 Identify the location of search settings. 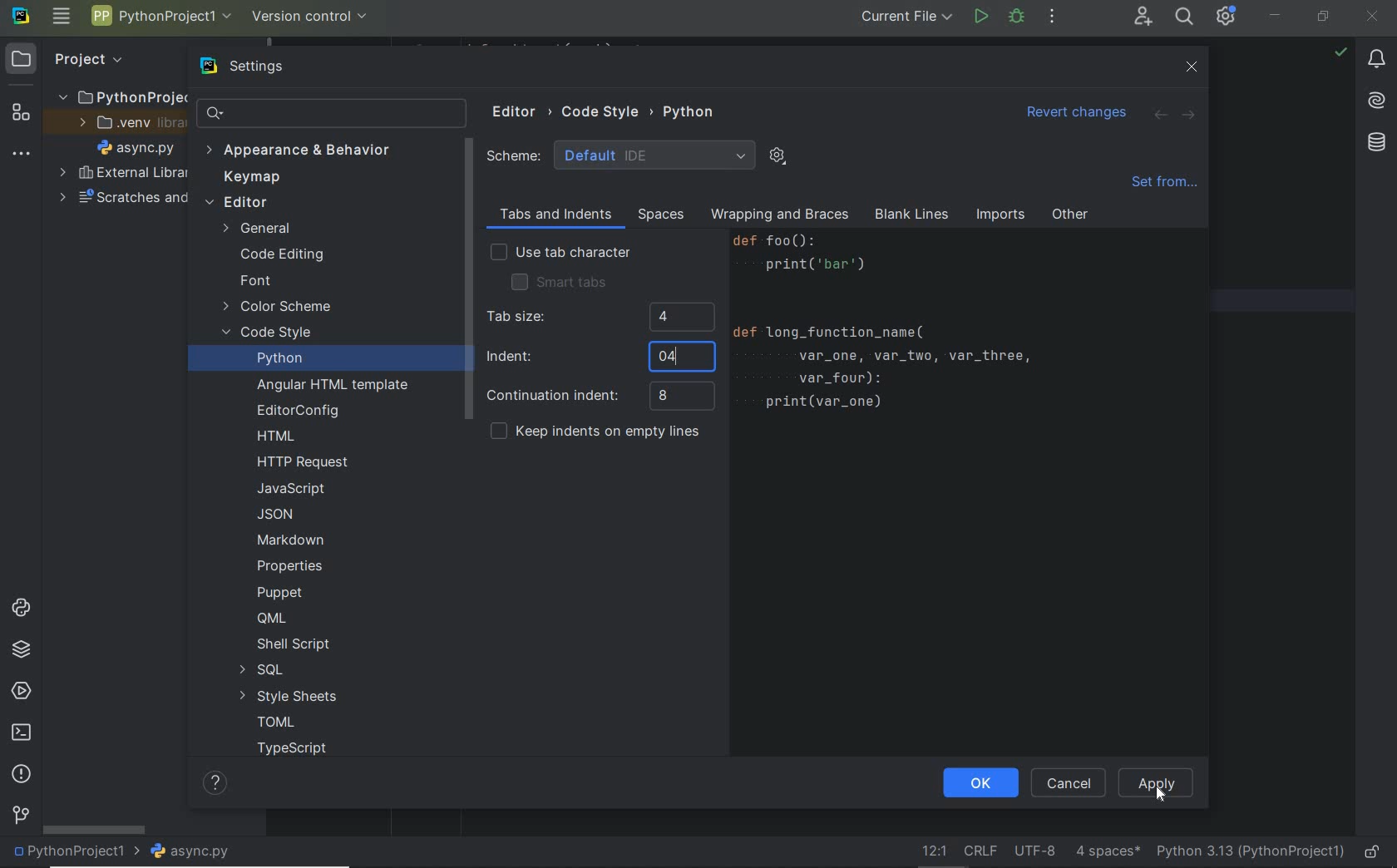
(333, 113).